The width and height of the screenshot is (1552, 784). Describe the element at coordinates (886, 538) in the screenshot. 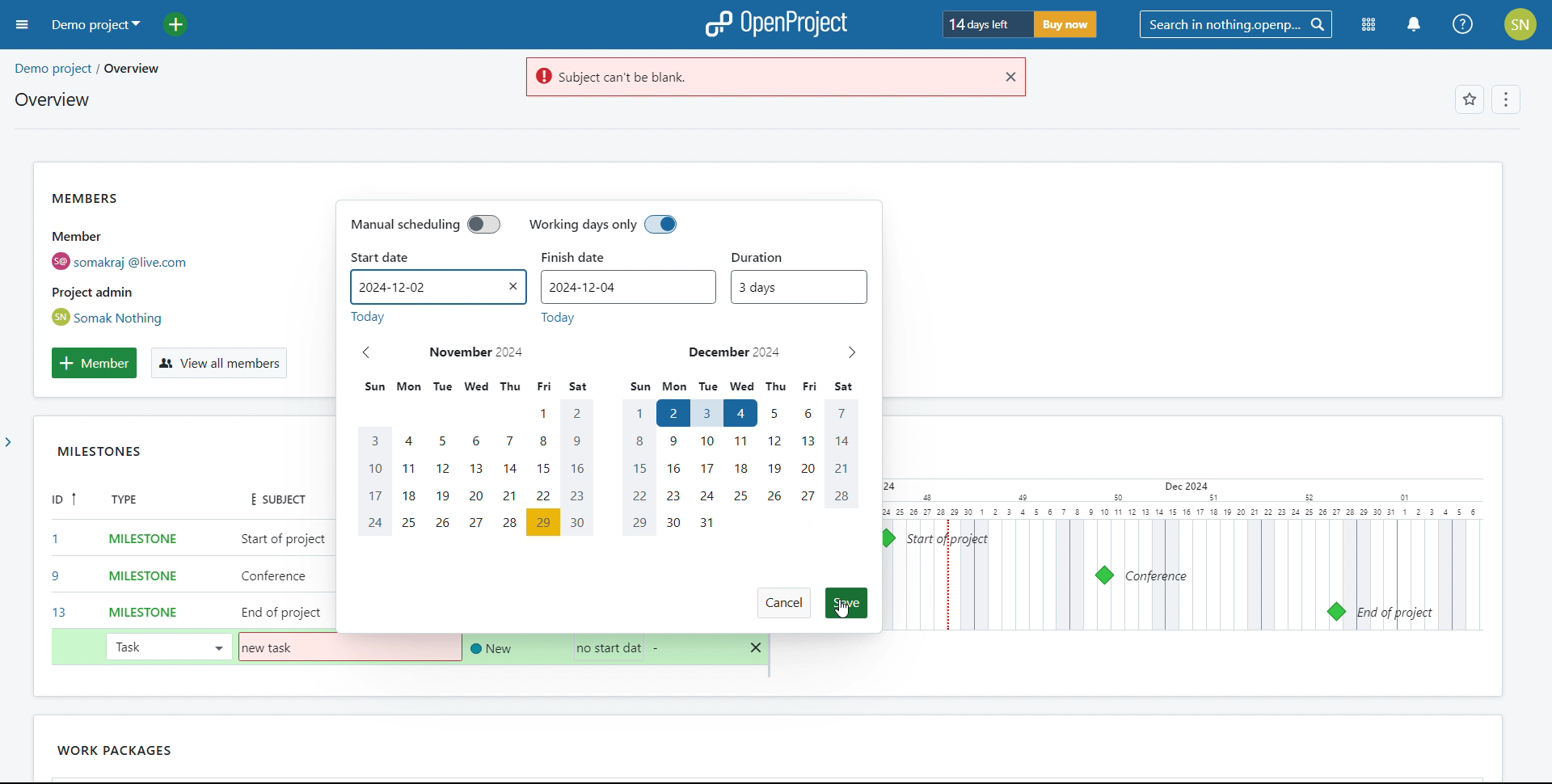

I see `milestone 1` at that location.